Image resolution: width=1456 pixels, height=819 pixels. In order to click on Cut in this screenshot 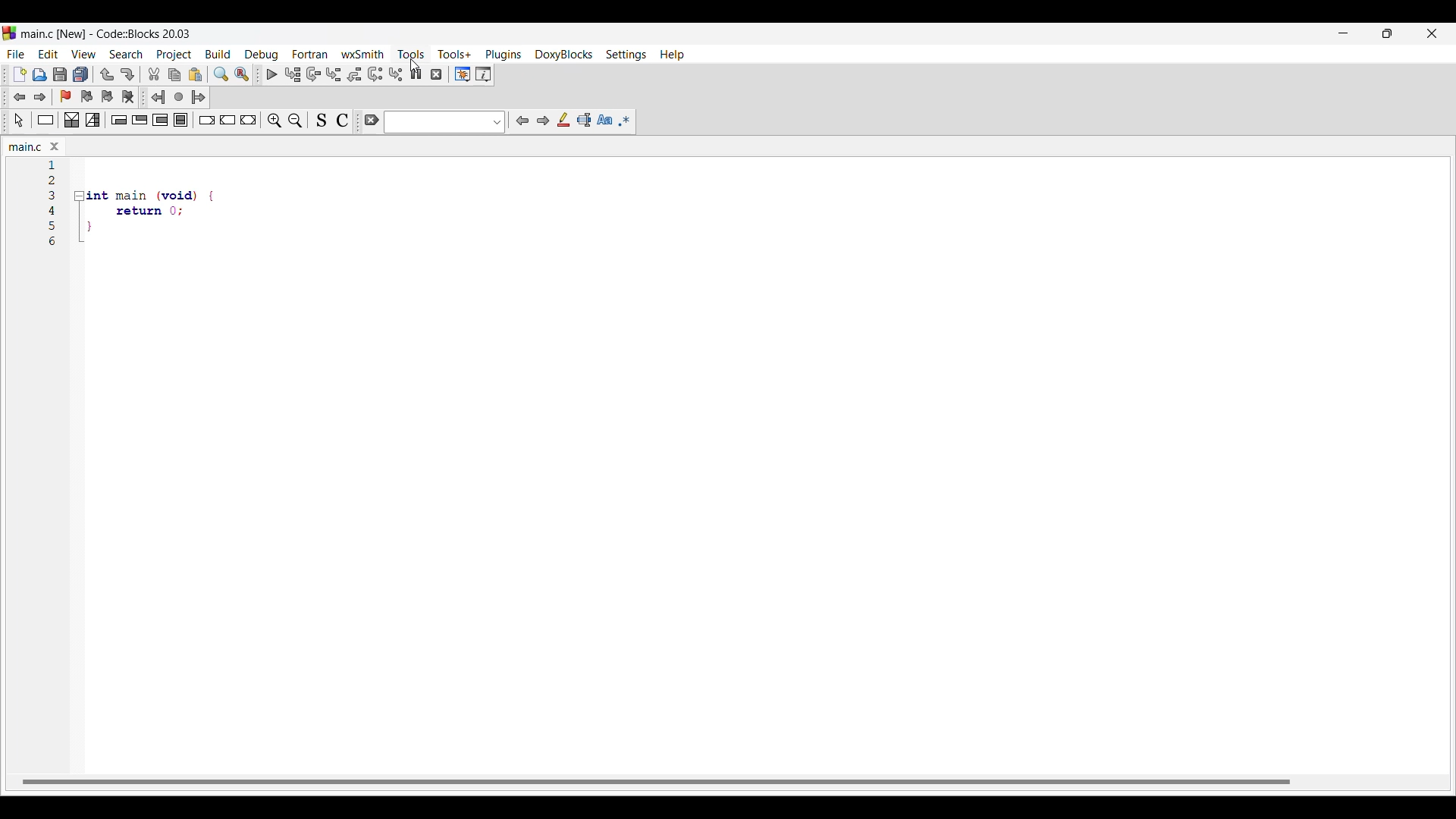, I will do `click(154, 74)`.